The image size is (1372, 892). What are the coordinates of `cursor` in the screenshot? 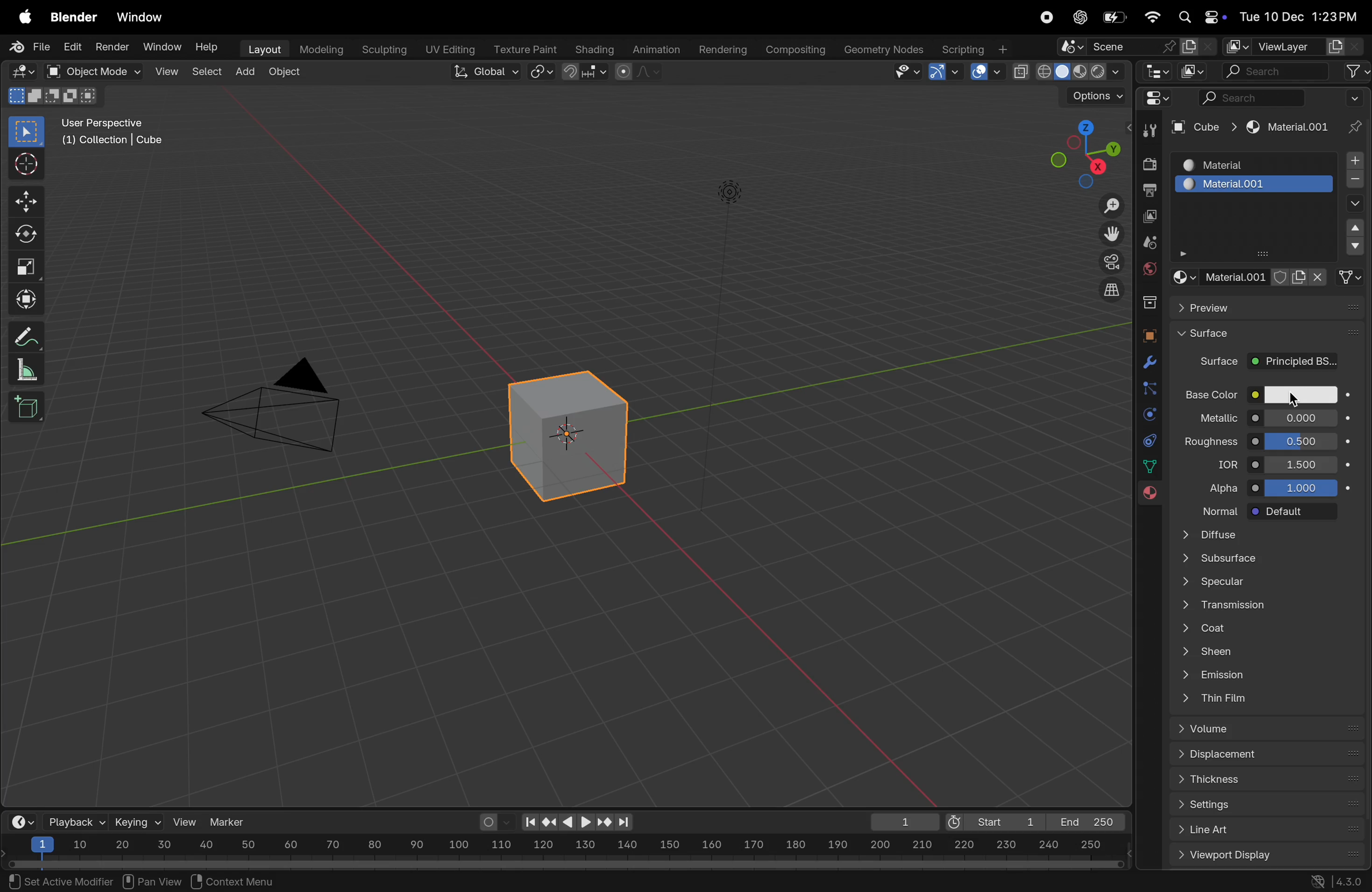 It's located at (24, 165).